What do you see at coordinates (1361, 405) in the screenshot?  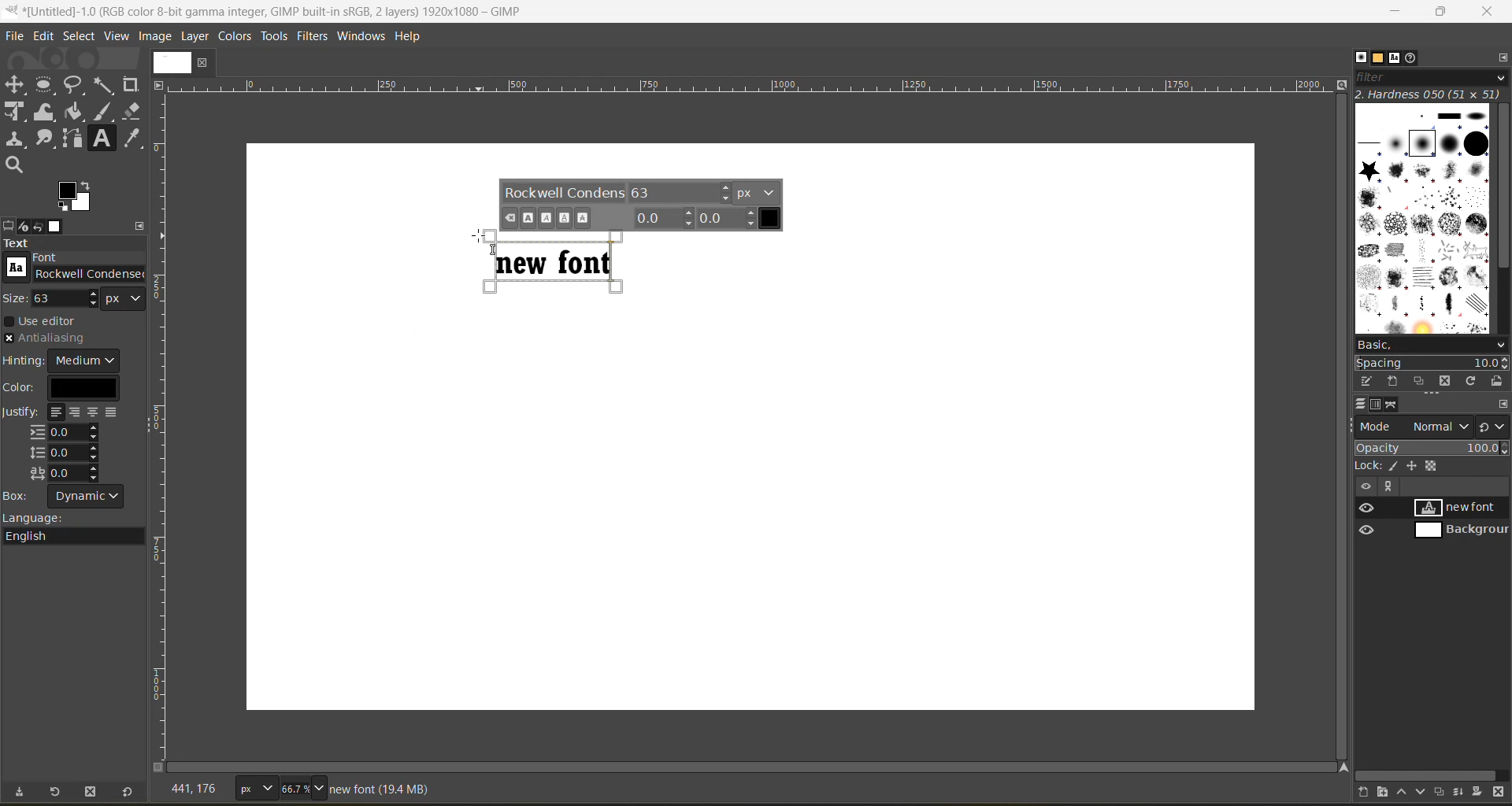 I see `layers` at bounding box center [1361, 405].